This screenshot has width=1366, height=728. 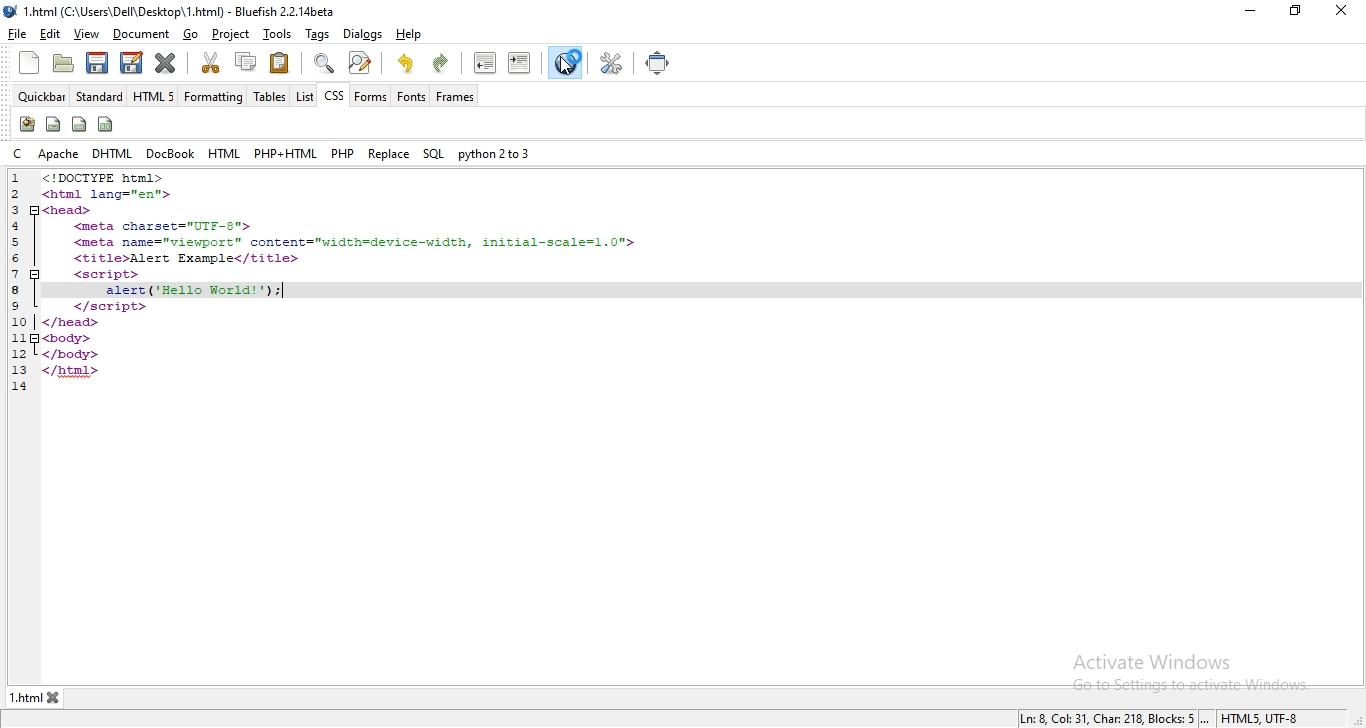 What do you see at coordinates (279, 64) in the screenshot?
I see `paste` at bounding box center [279, 64].